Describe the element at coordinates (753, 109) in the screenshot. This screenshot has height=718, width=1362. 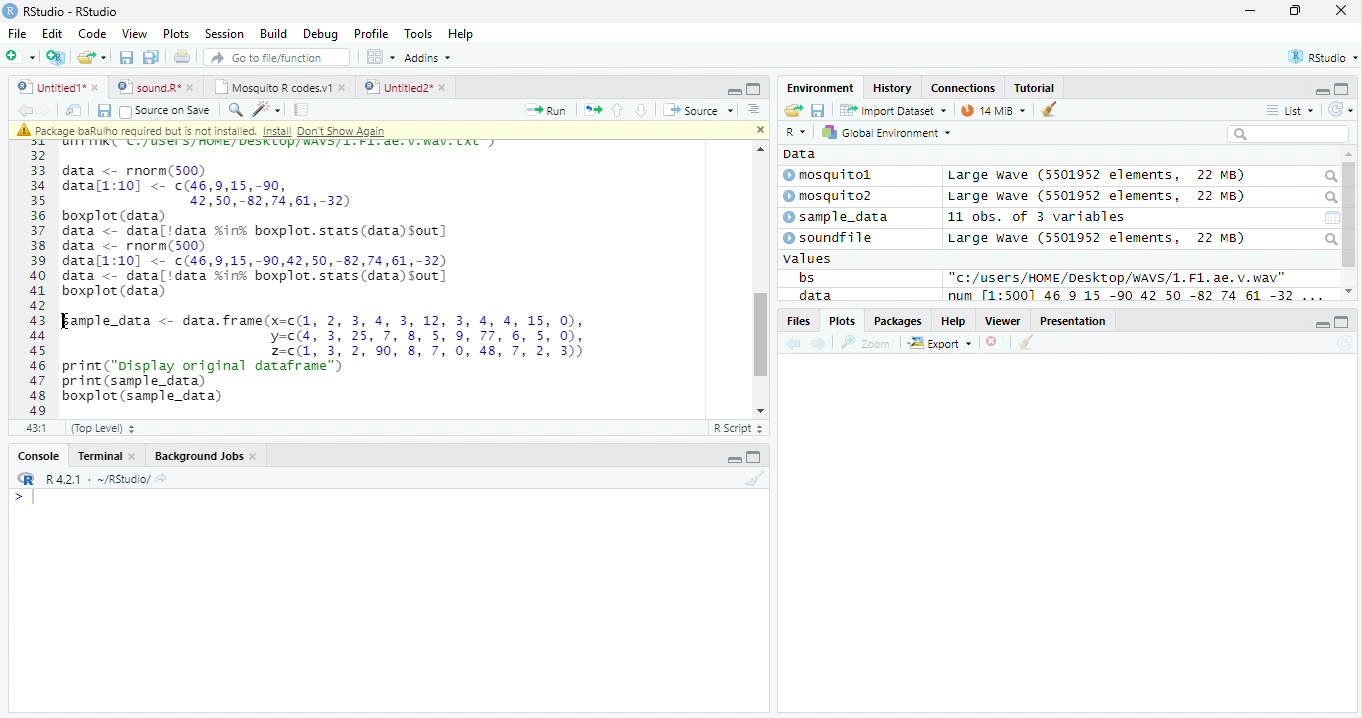
I see `Show document outline` at that location.